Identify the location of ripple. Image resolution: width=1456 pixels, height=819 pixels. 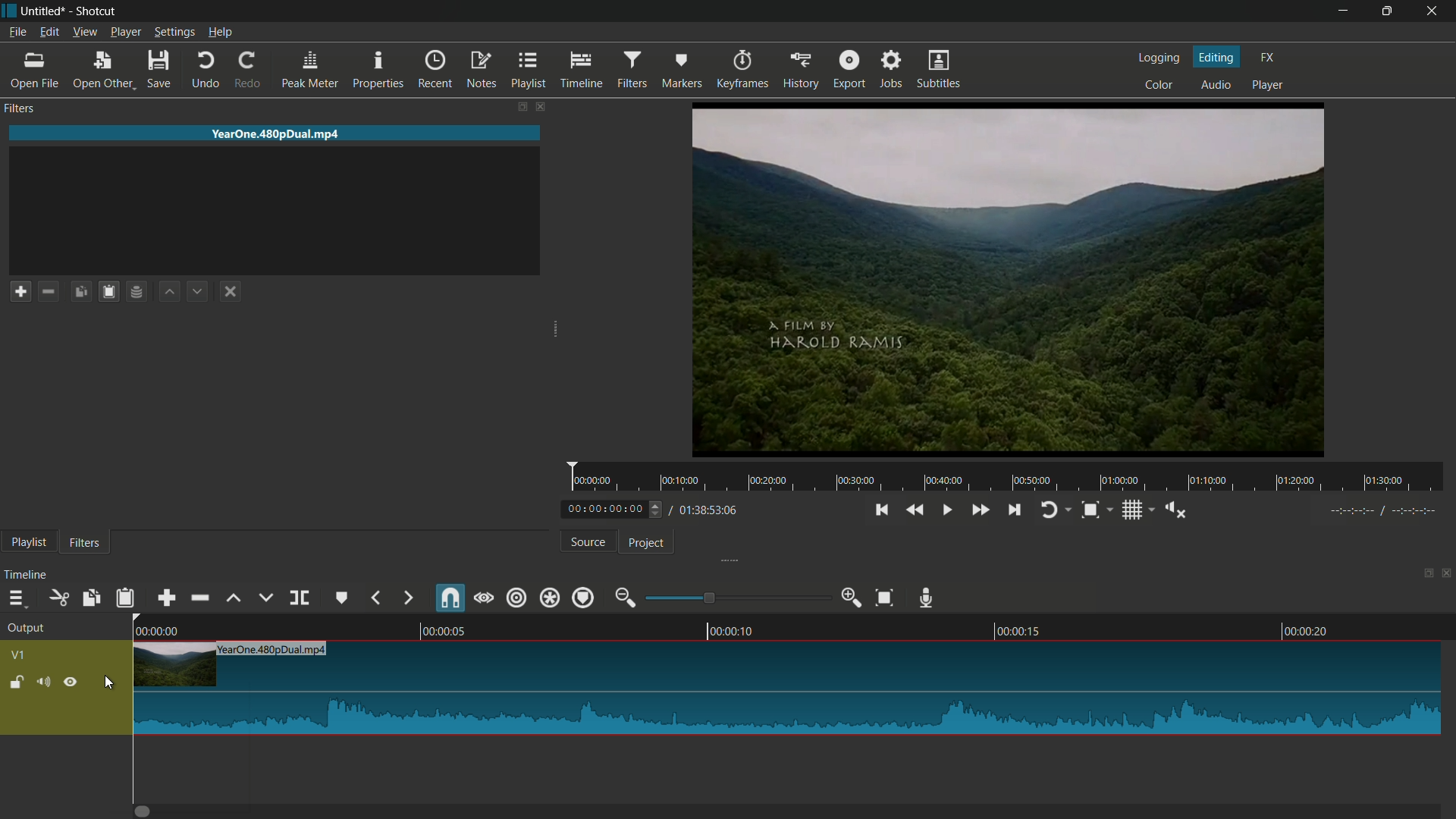
(518, 598).